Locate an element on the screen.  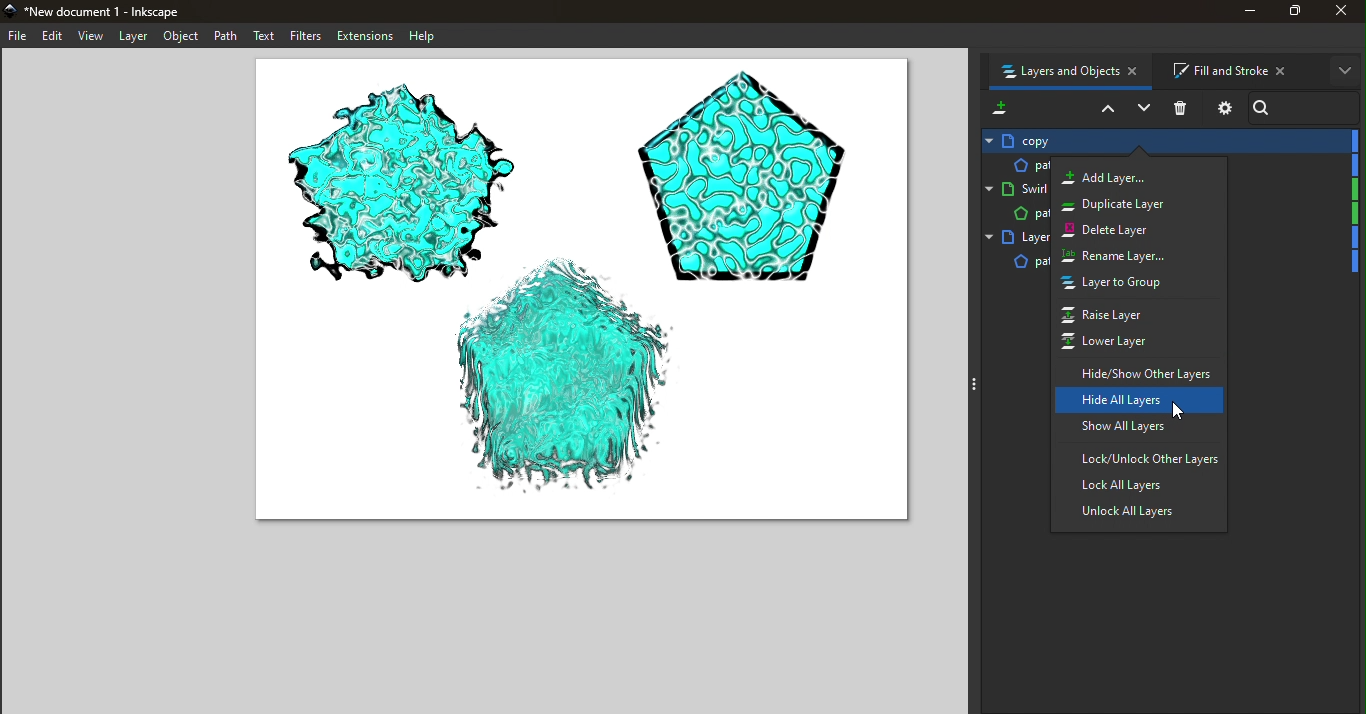
cursor is located at coordinates (1181, 410).